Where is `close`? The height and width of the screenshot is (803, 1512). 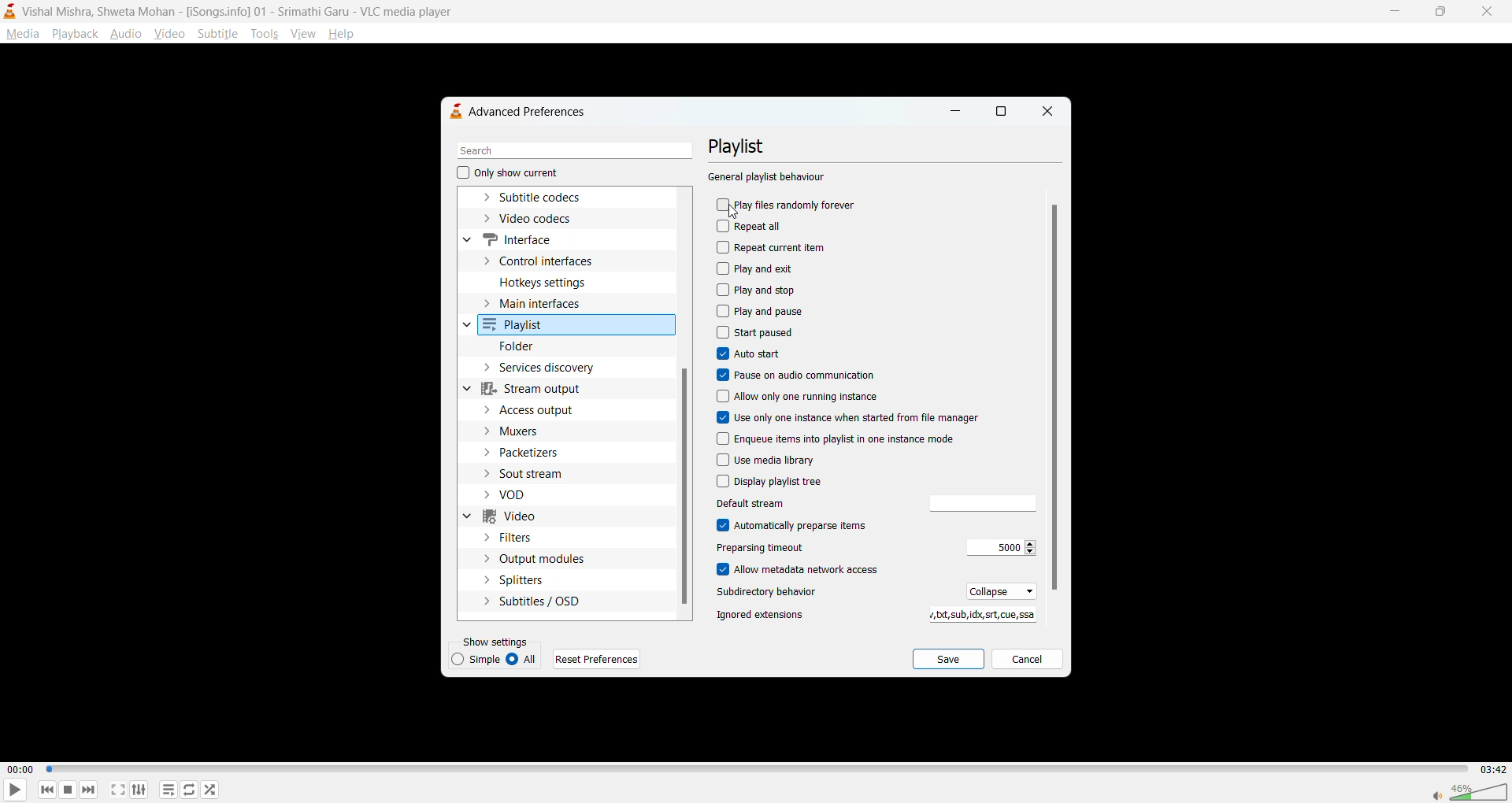 close is located at coordinates (1045, 112).